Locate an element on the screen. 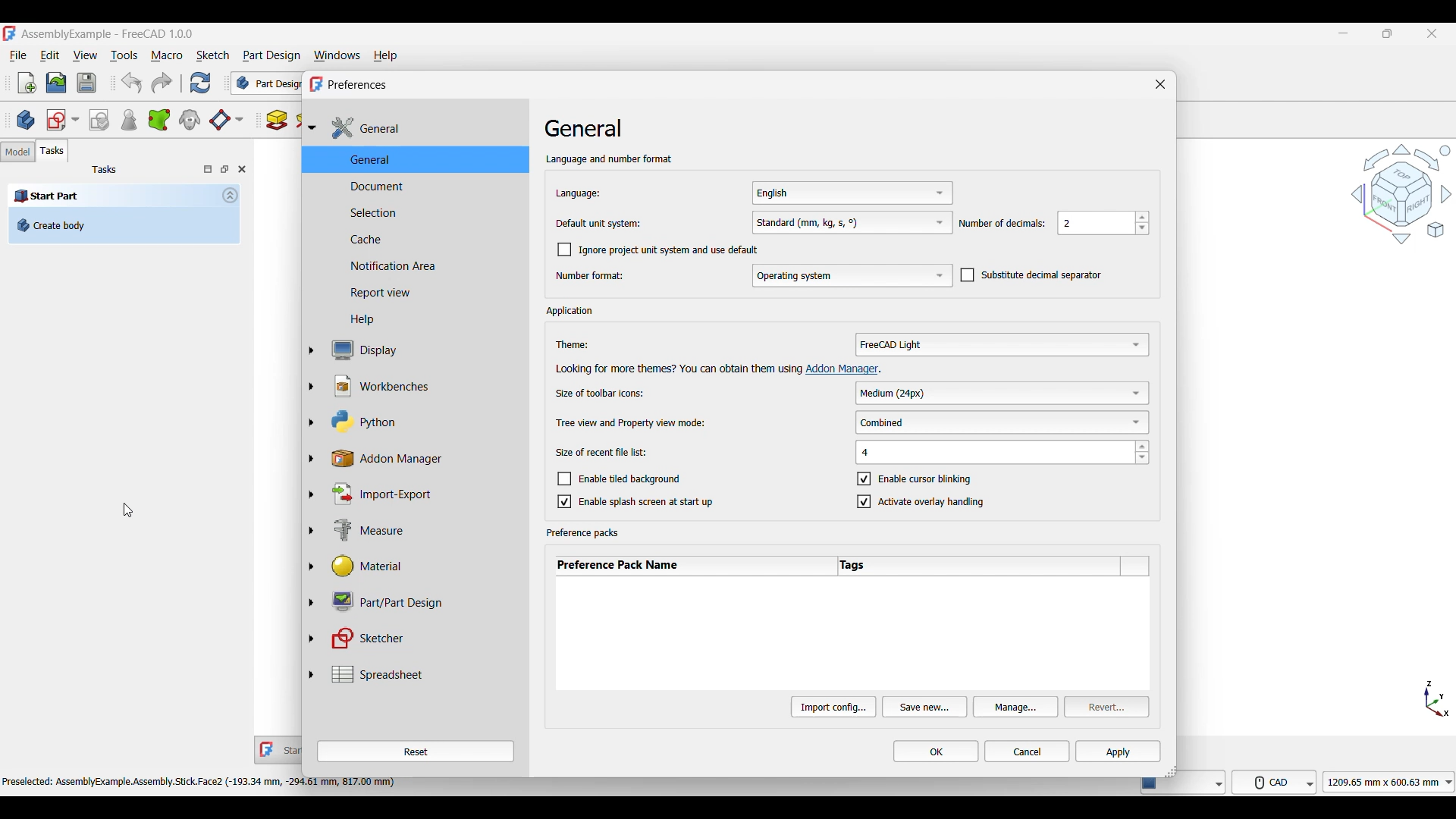 Image resolution: width=1456 pixels, height=819 pixels. Measure is located at coordinates (422, 529).